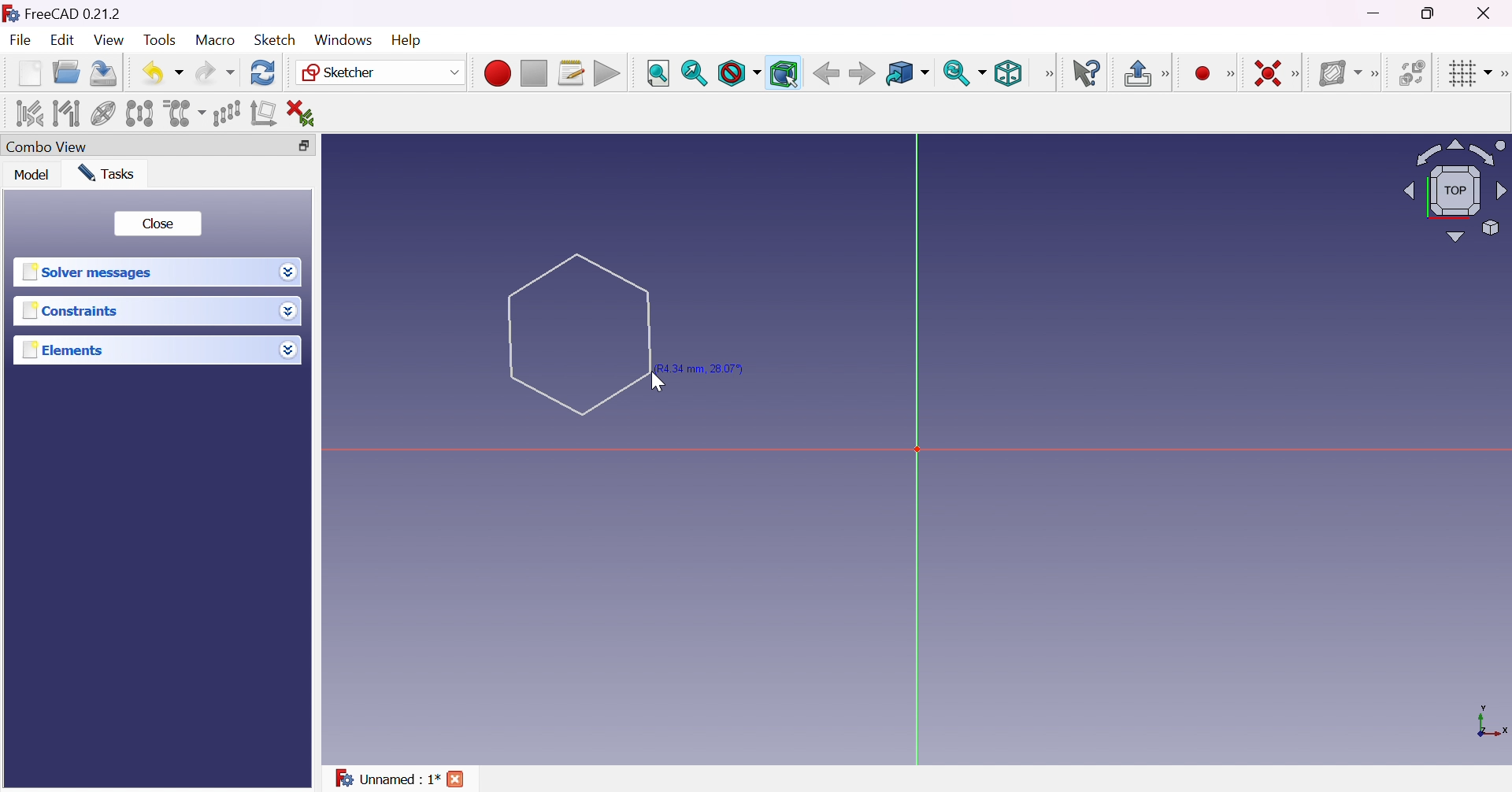 This screenshot has width=1512, height=792. Describe the element at coordinates (823, 73) in the screenshot. I see `Back` at that location.